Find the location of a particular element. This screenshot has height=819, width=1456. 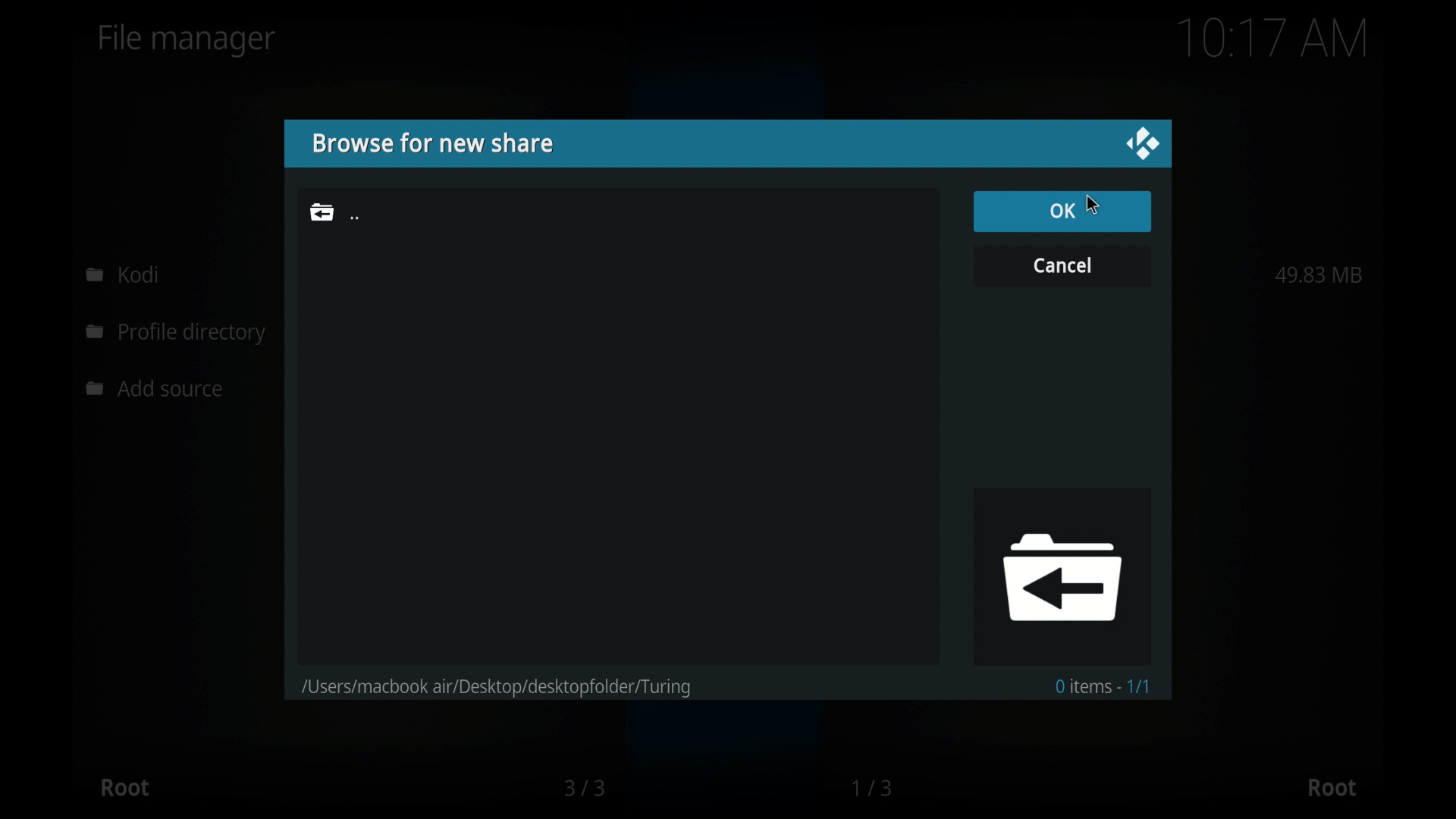

folder is located at coordinates (322, 212).